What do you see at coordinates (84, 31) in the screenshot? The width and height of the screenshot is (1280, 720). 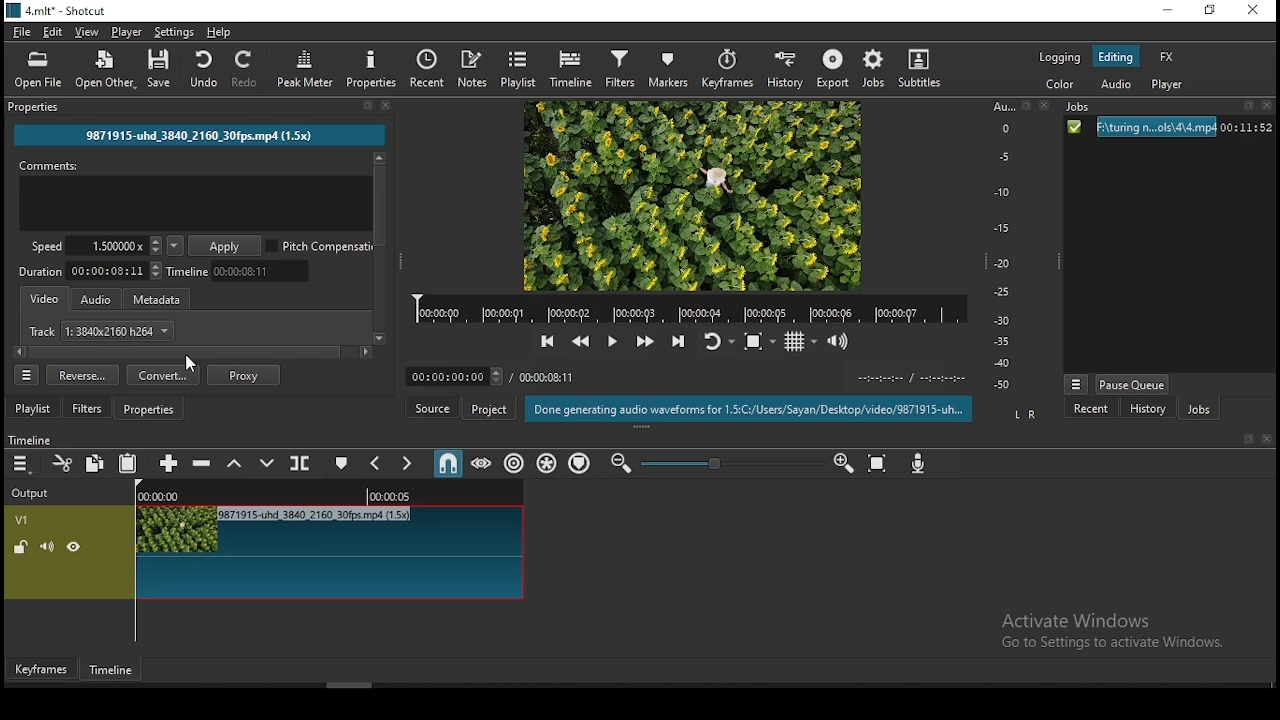 I see `view` at bounding box center [84, 31].